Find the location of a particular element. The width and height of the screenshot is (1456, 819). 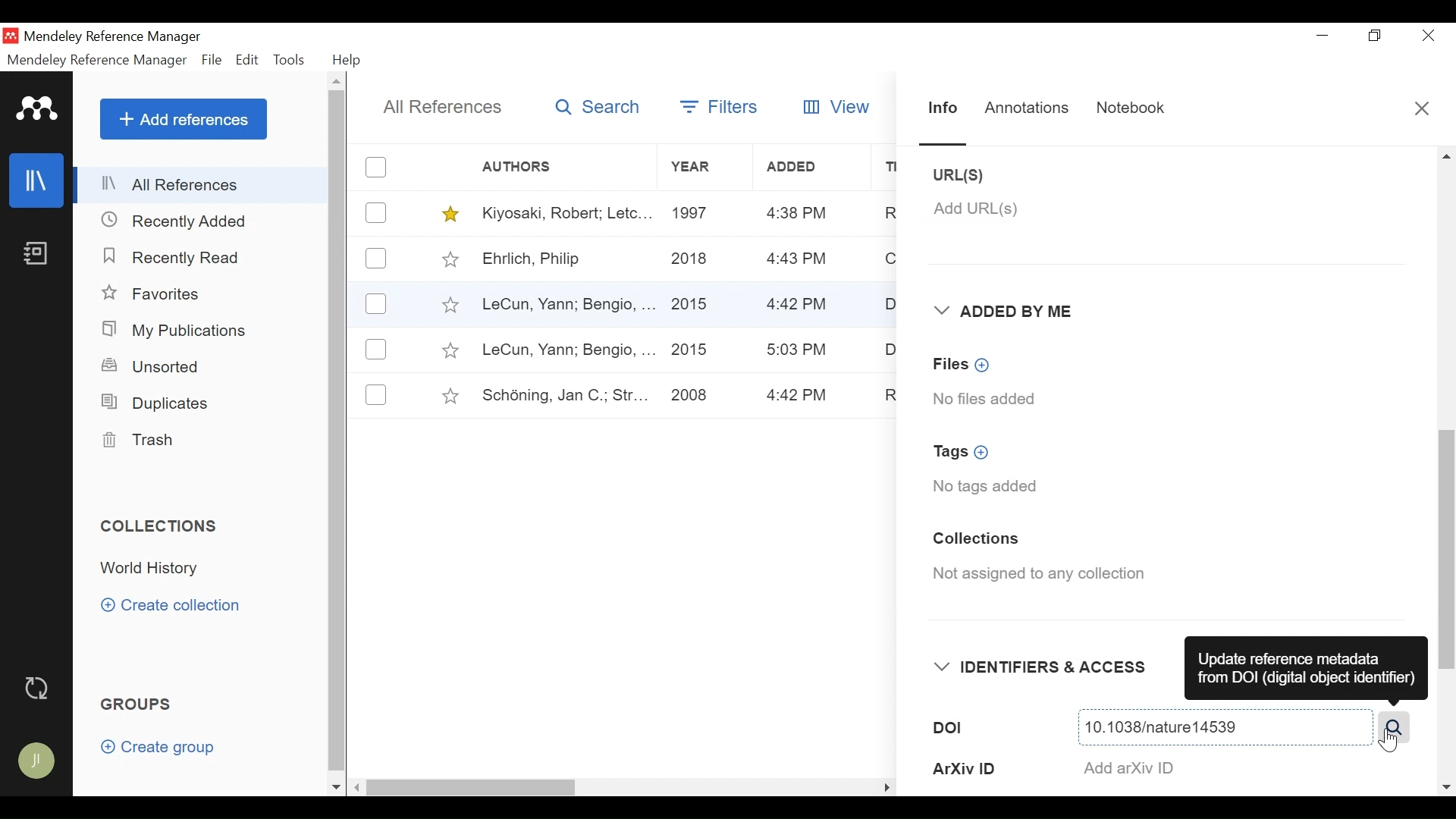

Close is located at coordinates (1423, 112).